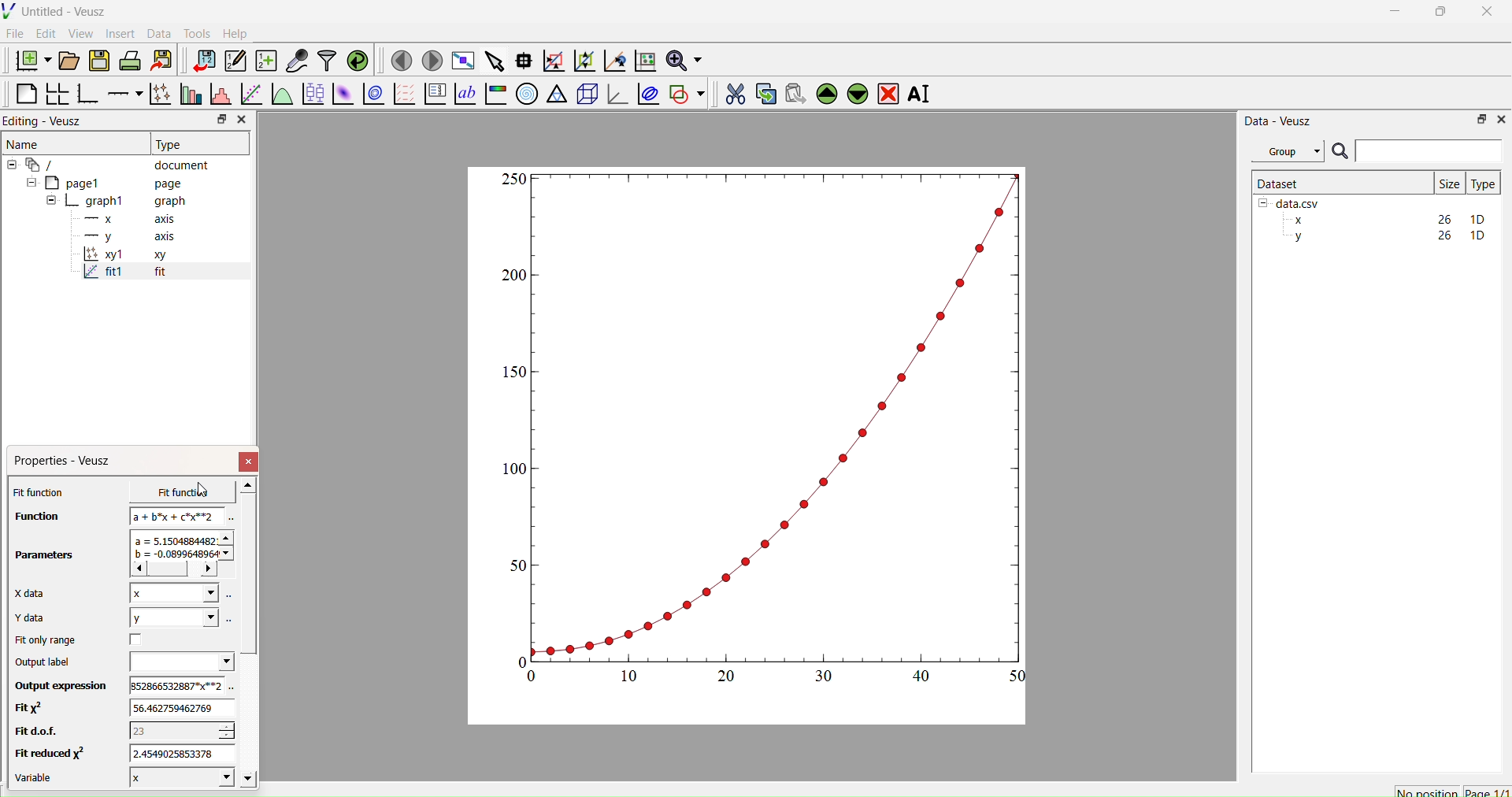 Image resolution: width=1512 pixels, height=797 pixels. I want to click on Select using dataset browser, so click(232, 689).